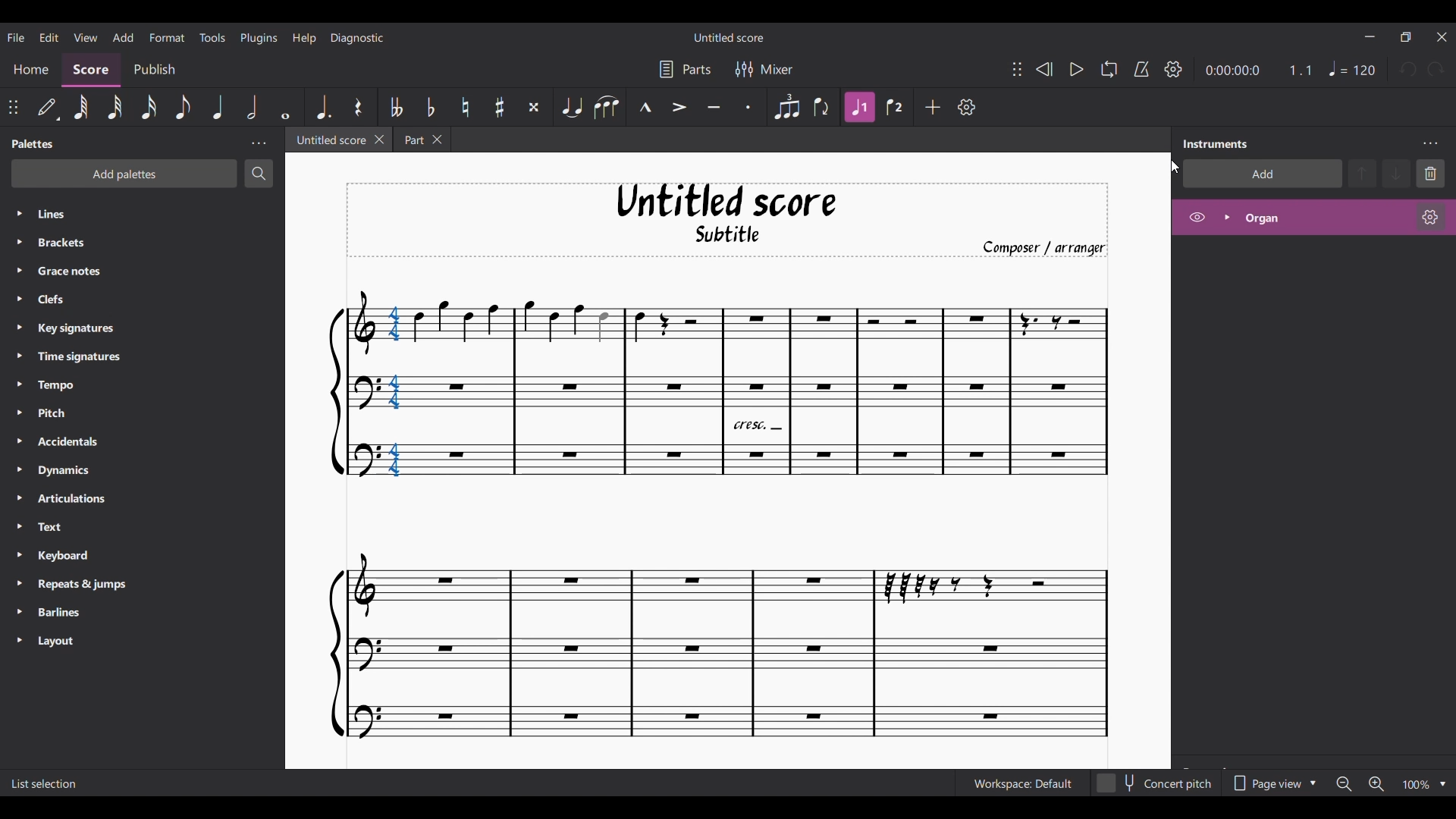 The width and height of the screenshot is (1456, 819). What do you see at coordinates (252, 107) in the screenshot?
I see `Half note` at bounding box center [252, 107].